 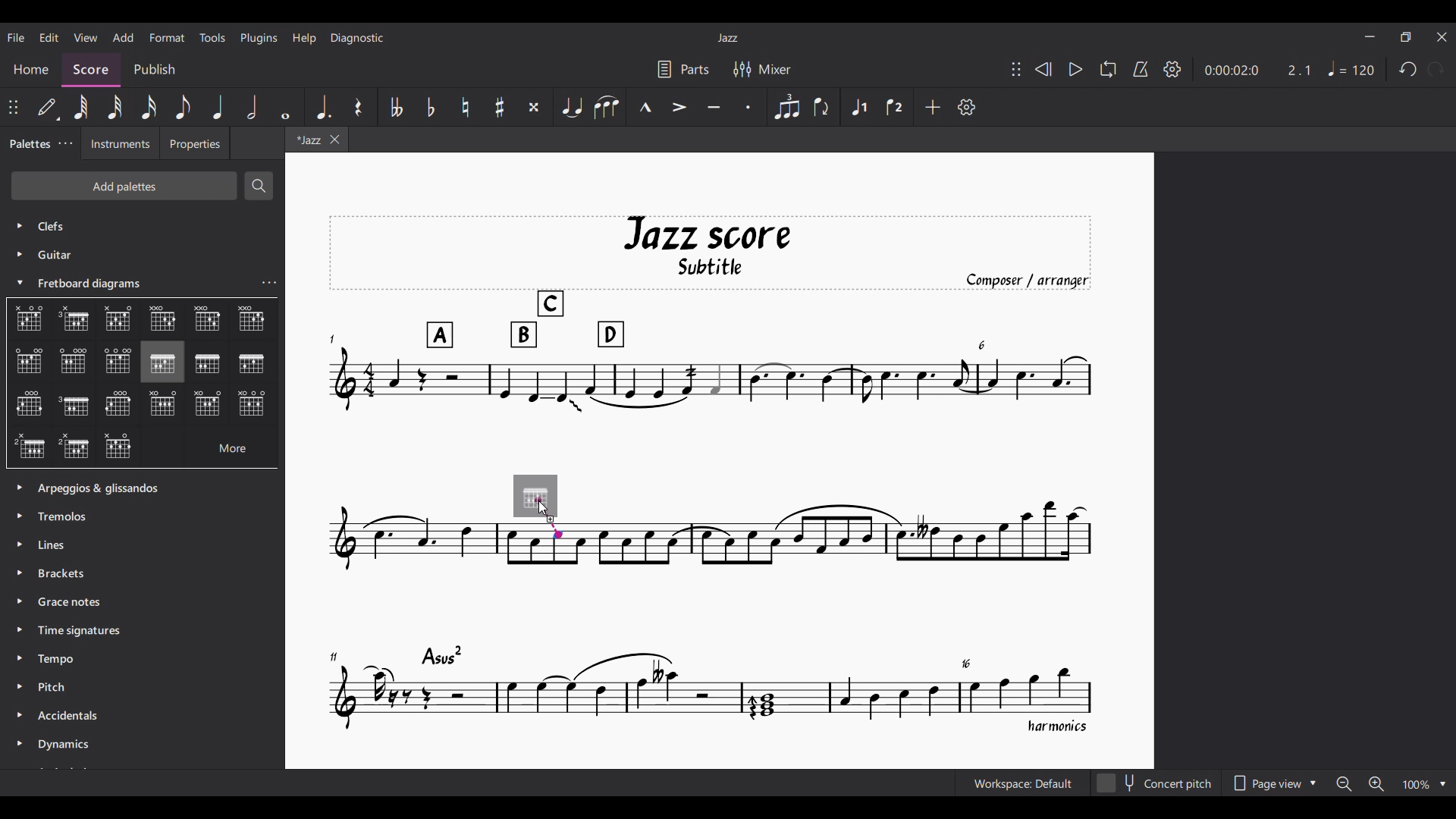 I want to click on Default, so click(x=47, y=107).